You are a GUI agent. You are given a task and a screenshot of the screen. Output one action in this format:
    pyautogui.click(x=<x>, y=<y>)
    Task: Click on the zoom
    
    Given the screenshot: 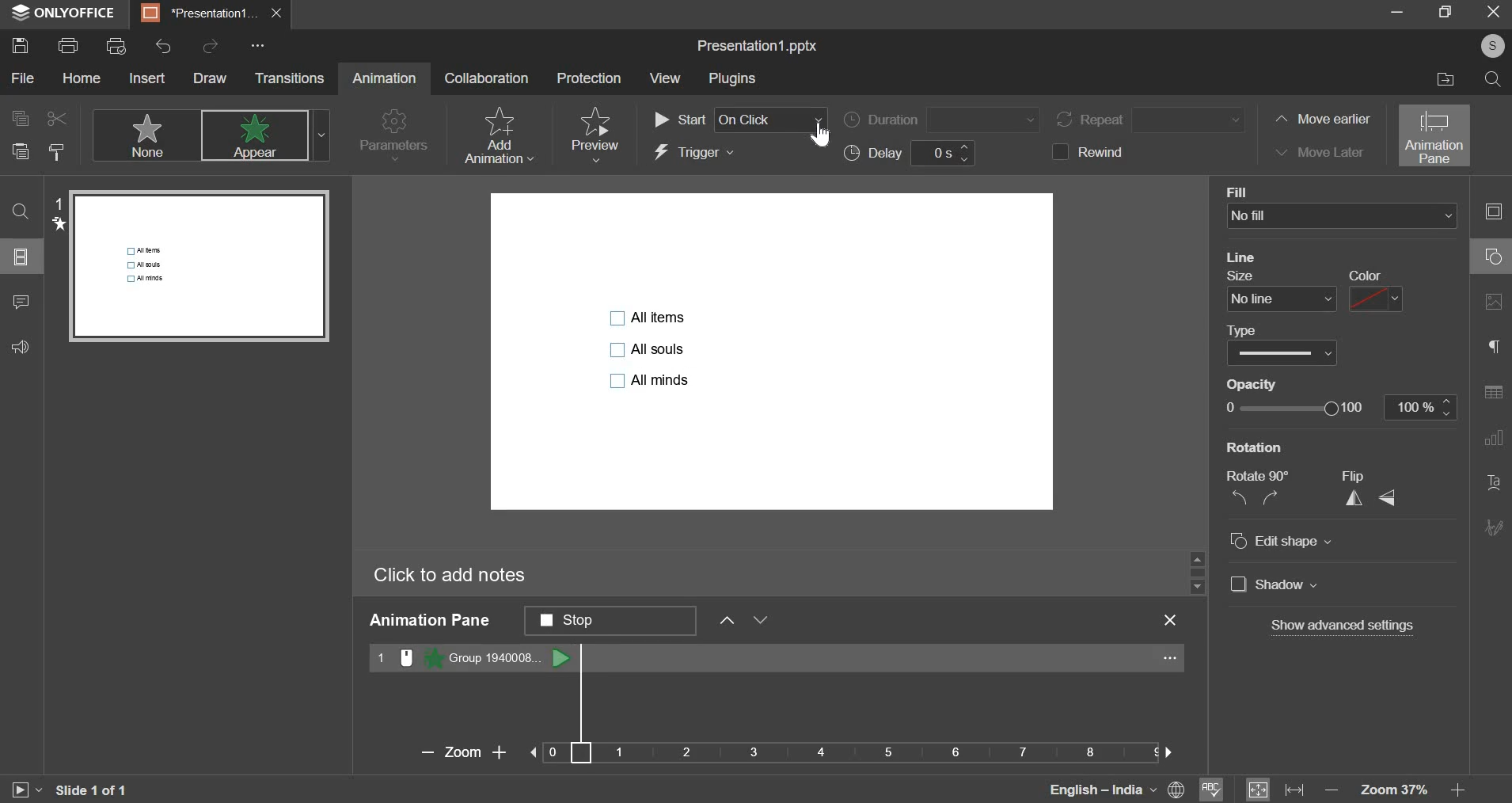 What is the action you would take?
    pyautogui.click(x=1406, y=790)
    